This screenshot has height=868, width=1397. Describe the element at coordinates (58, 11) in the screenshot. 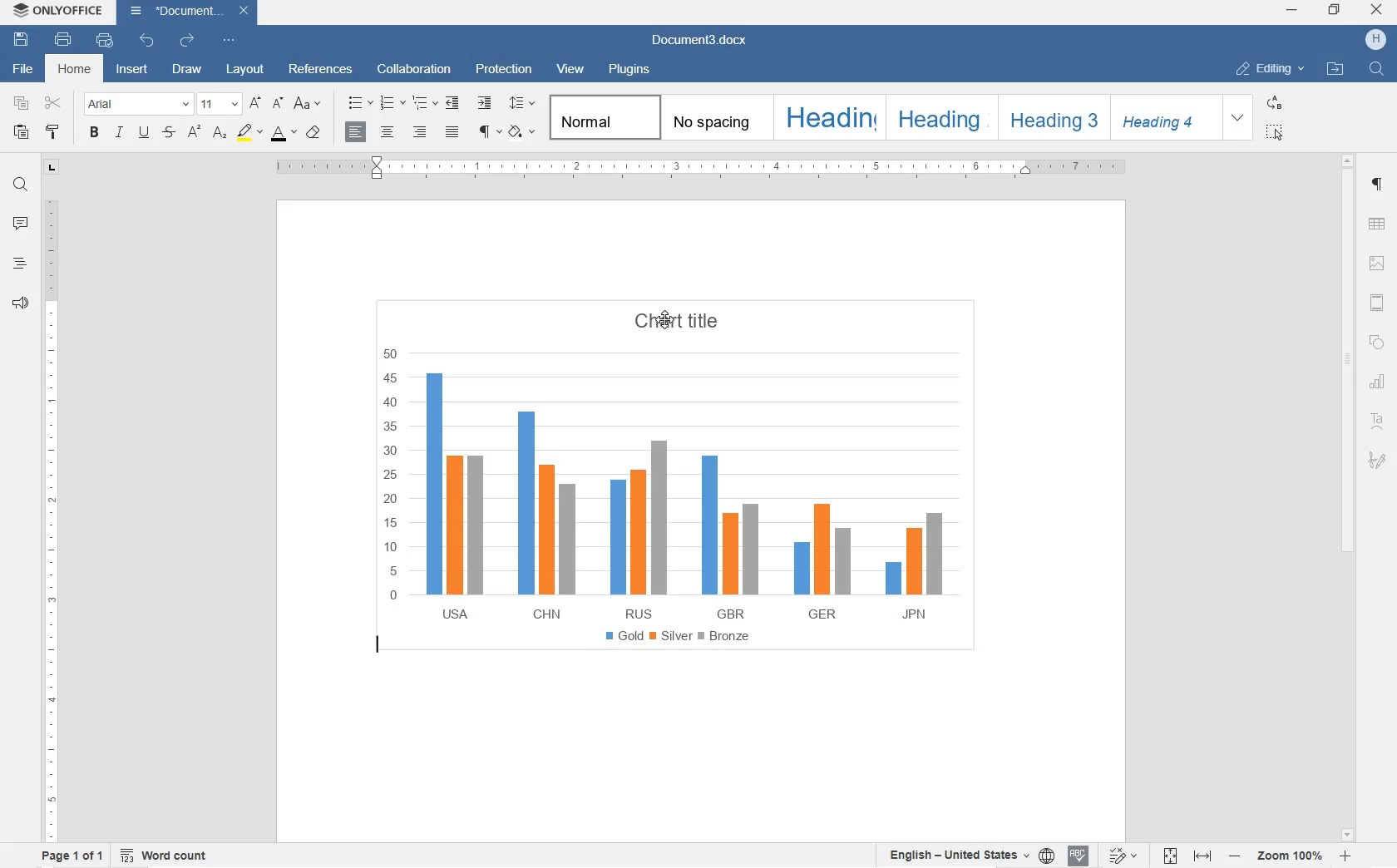

I see `ONLYOFFICE` at that location.